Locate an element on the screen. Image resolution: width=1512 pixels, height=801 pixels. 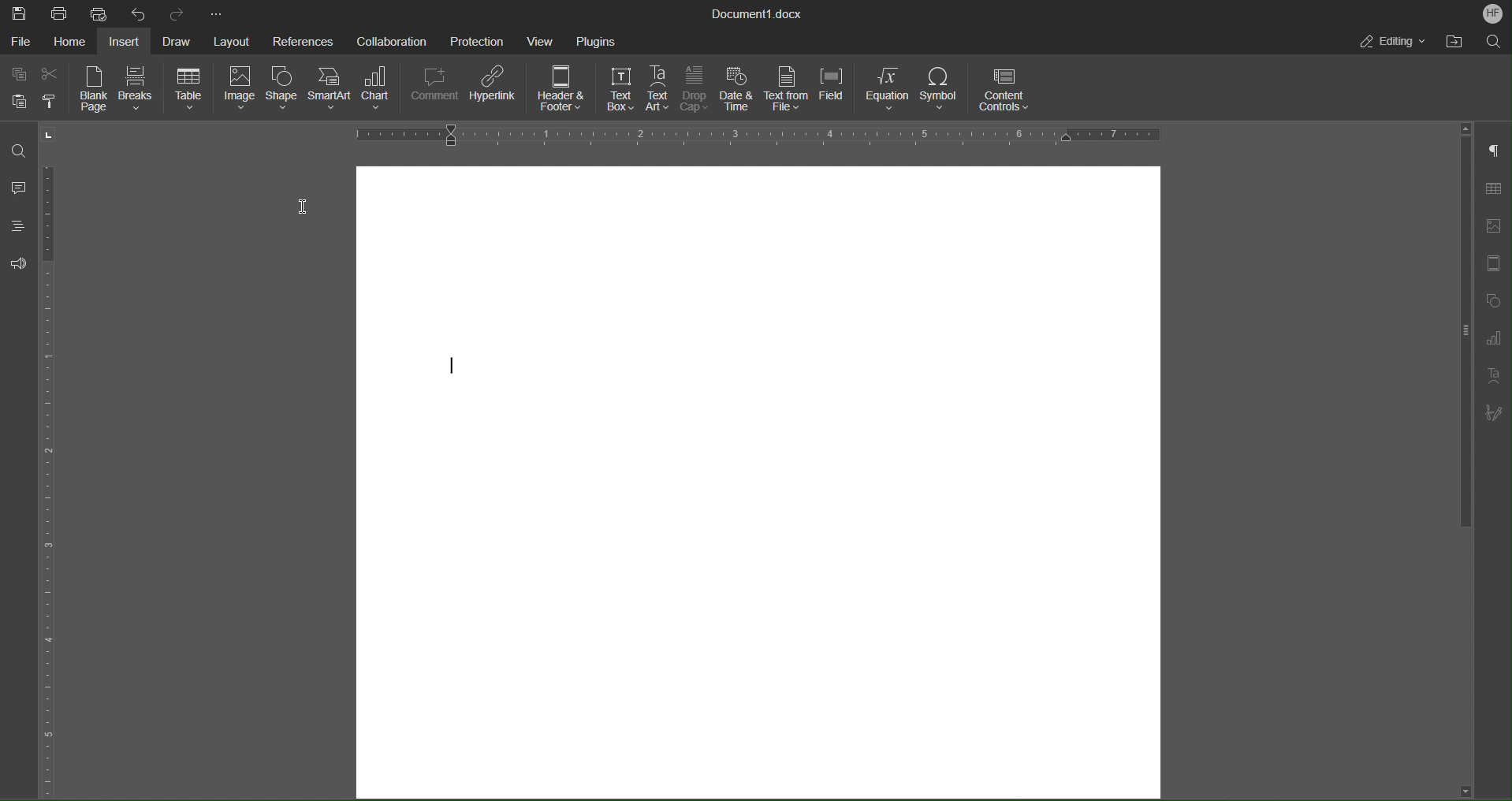
Graphs is located at coordinates (1492, 339).